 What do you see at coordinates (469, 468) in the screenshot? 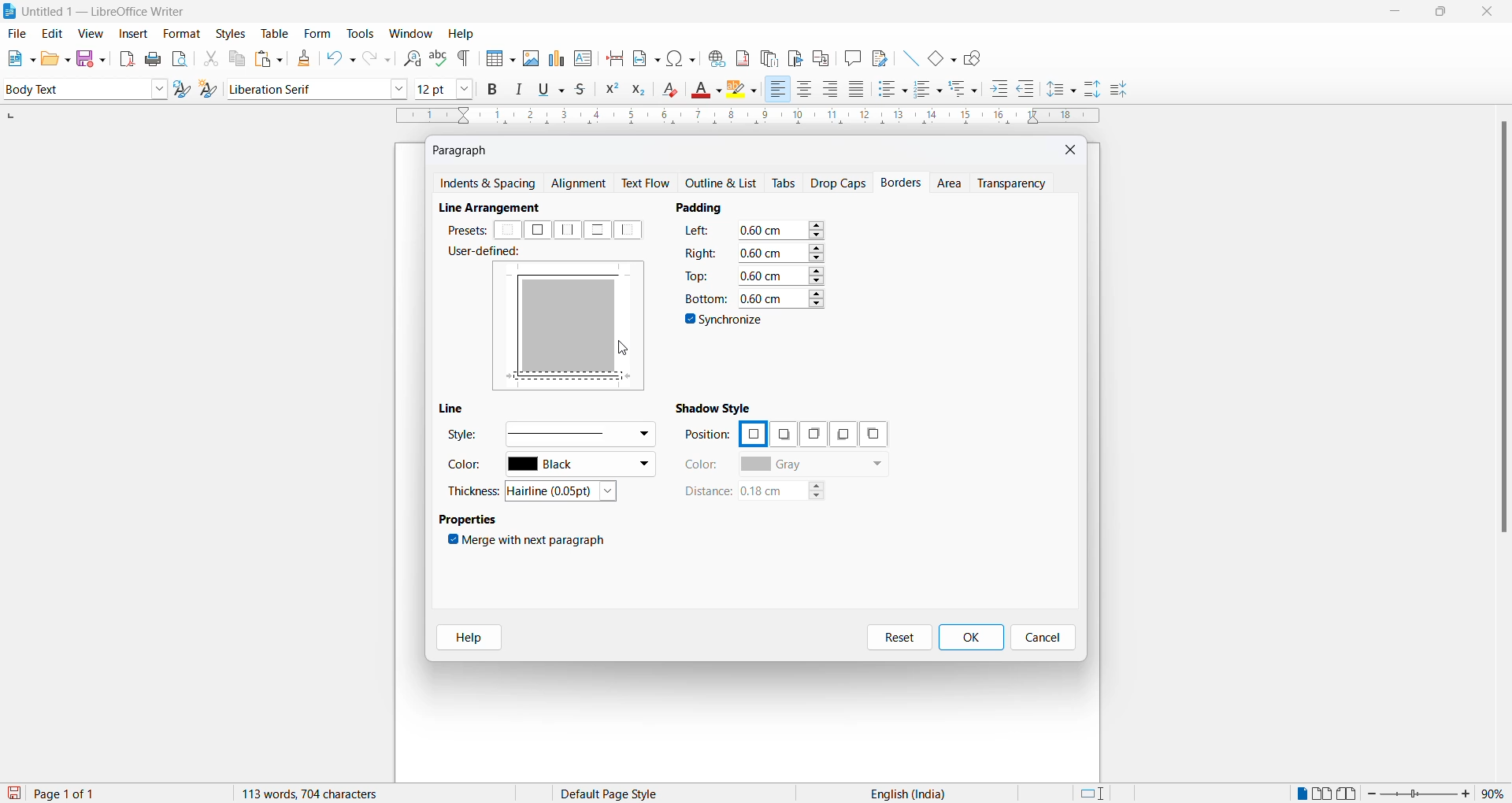
I see `color` at bounding box center [469, 468].